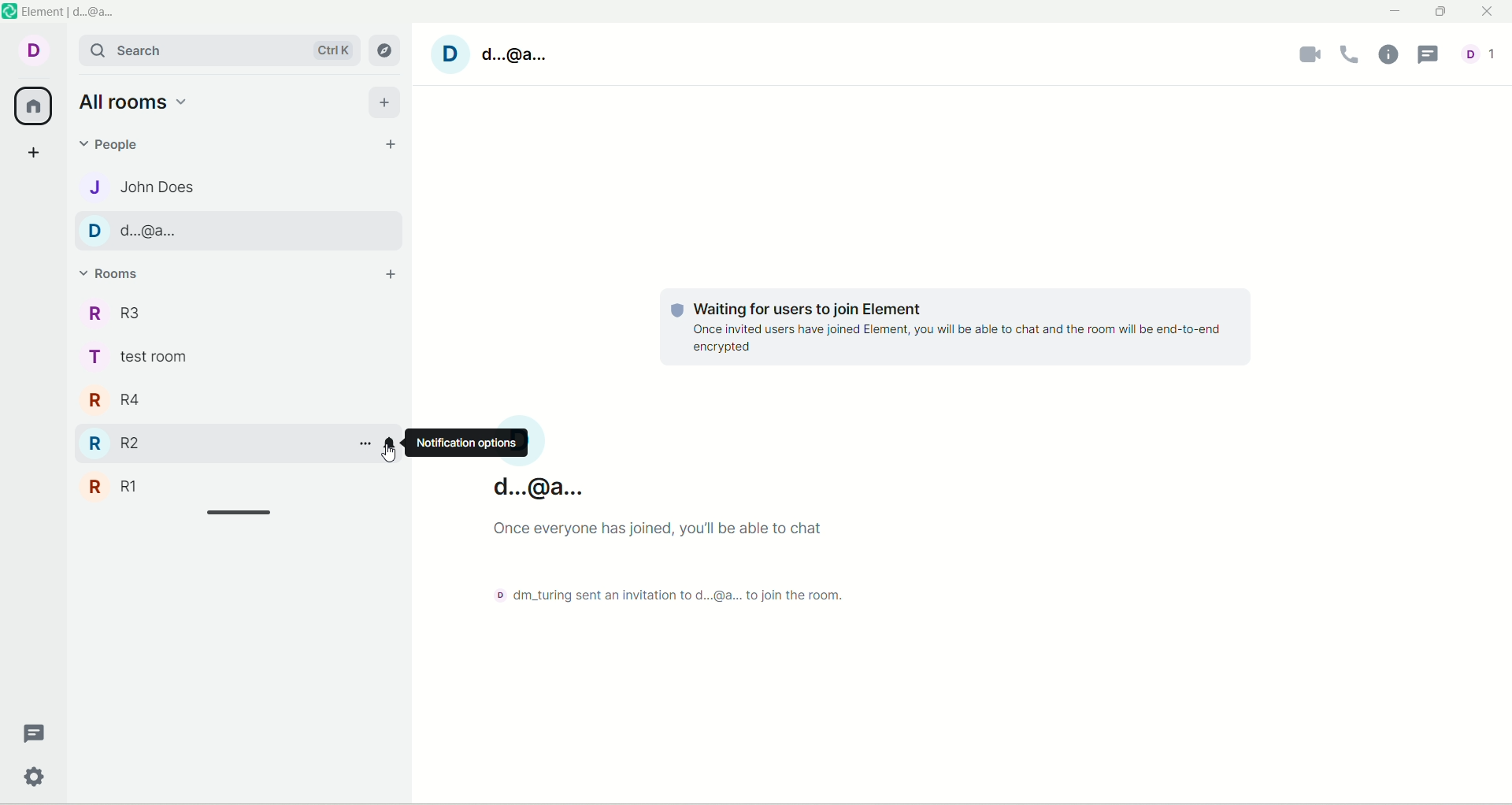  Describe the element at coordinates (117, 272) in the screenshot. I see `rooms` at that location.